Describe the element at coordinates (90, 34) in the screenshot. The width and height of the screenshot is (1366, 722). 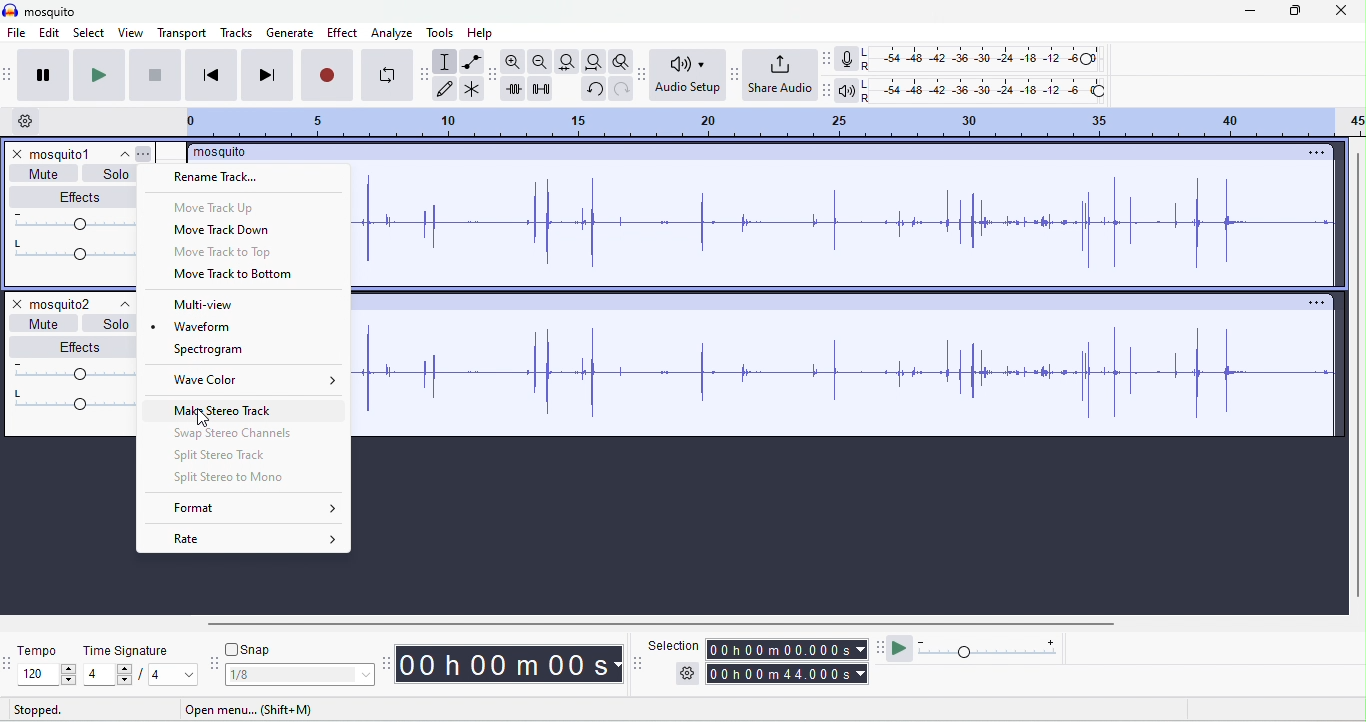
I see `select` at that location.